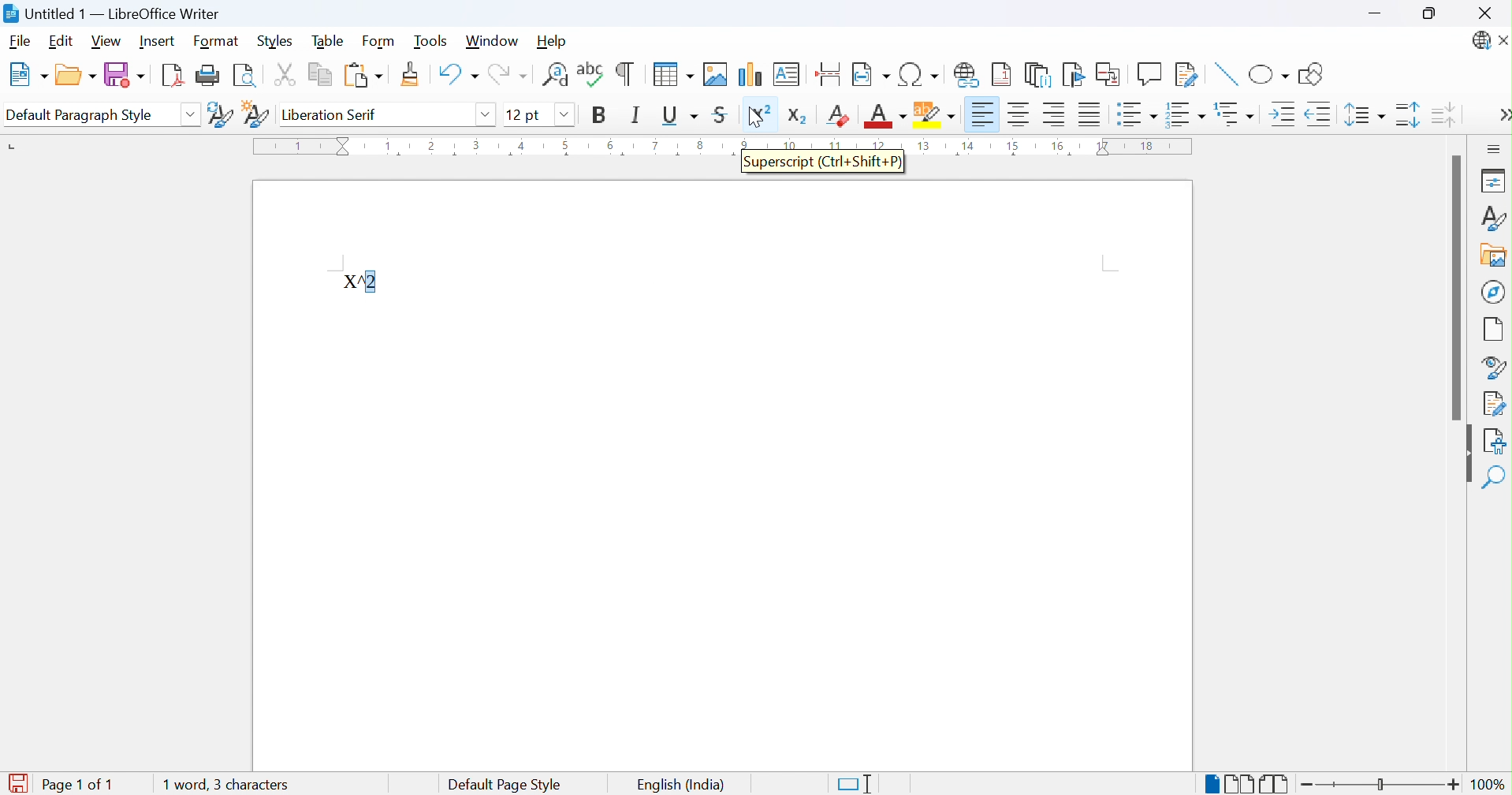 This screenshot has width=1512, height=795. I want to click on Justified, so click(1093, 114).